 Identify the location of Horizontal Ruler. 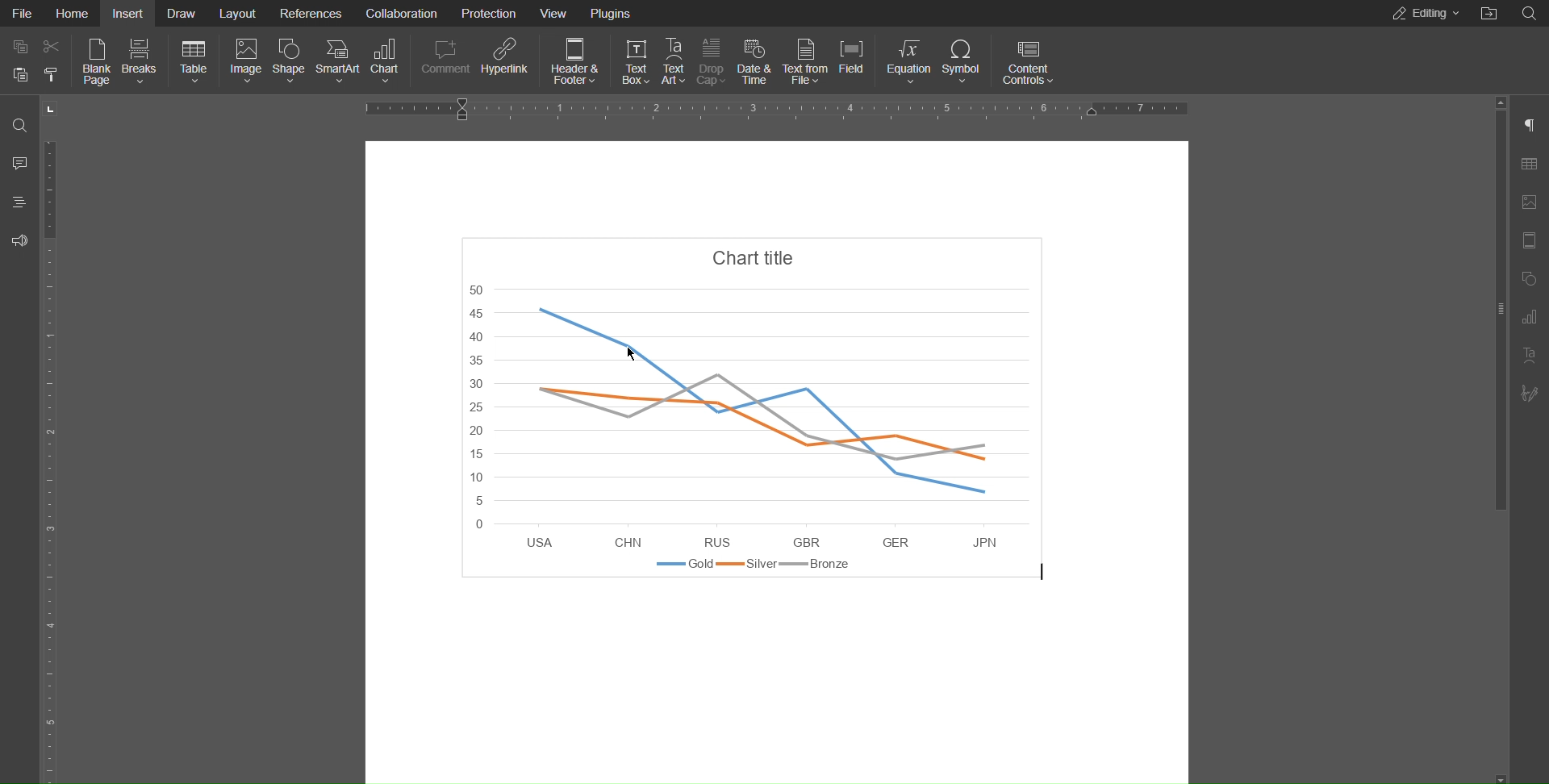
(778, 107).